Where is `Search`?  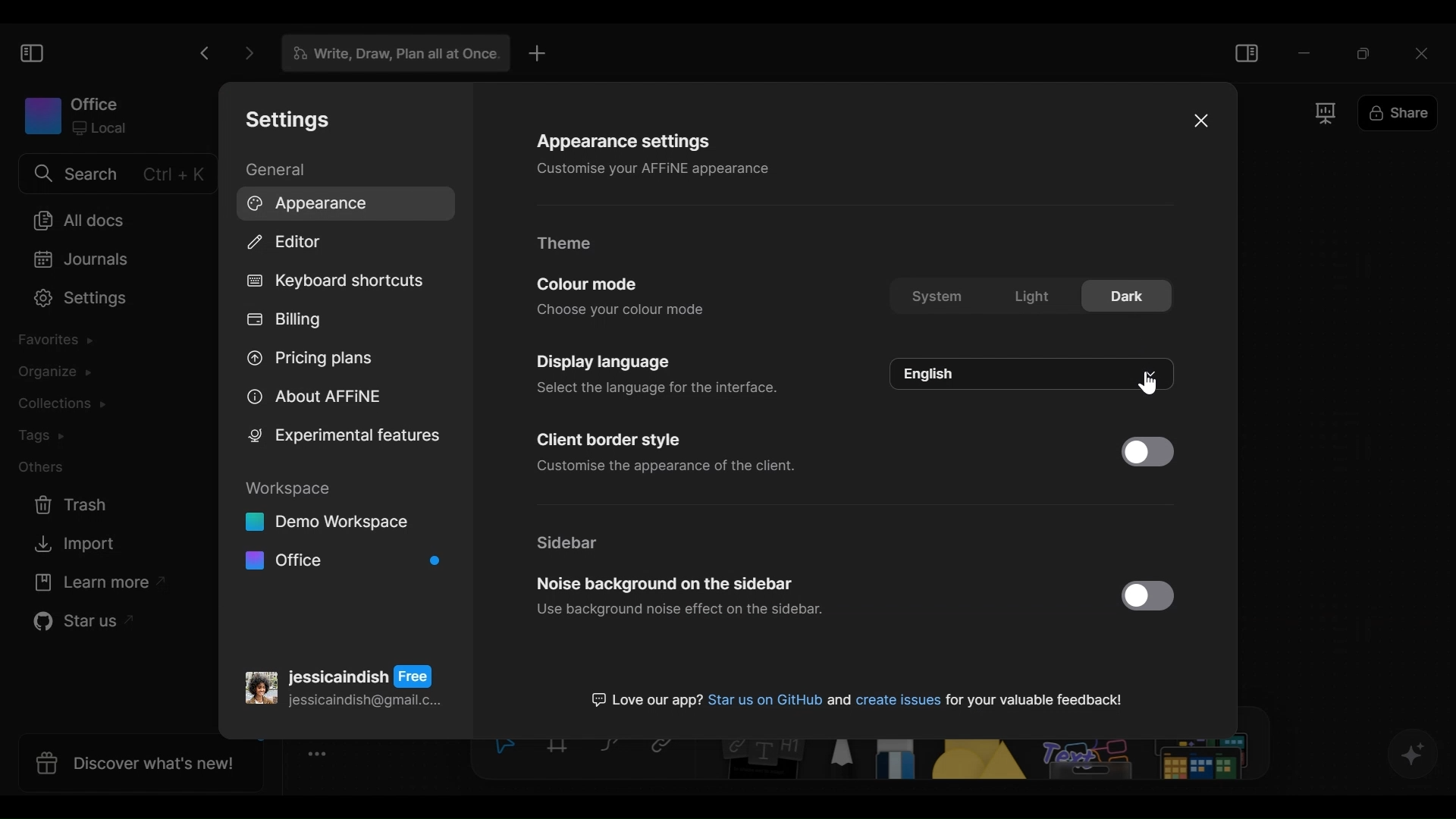
Search is located at coordinates (116, 174).